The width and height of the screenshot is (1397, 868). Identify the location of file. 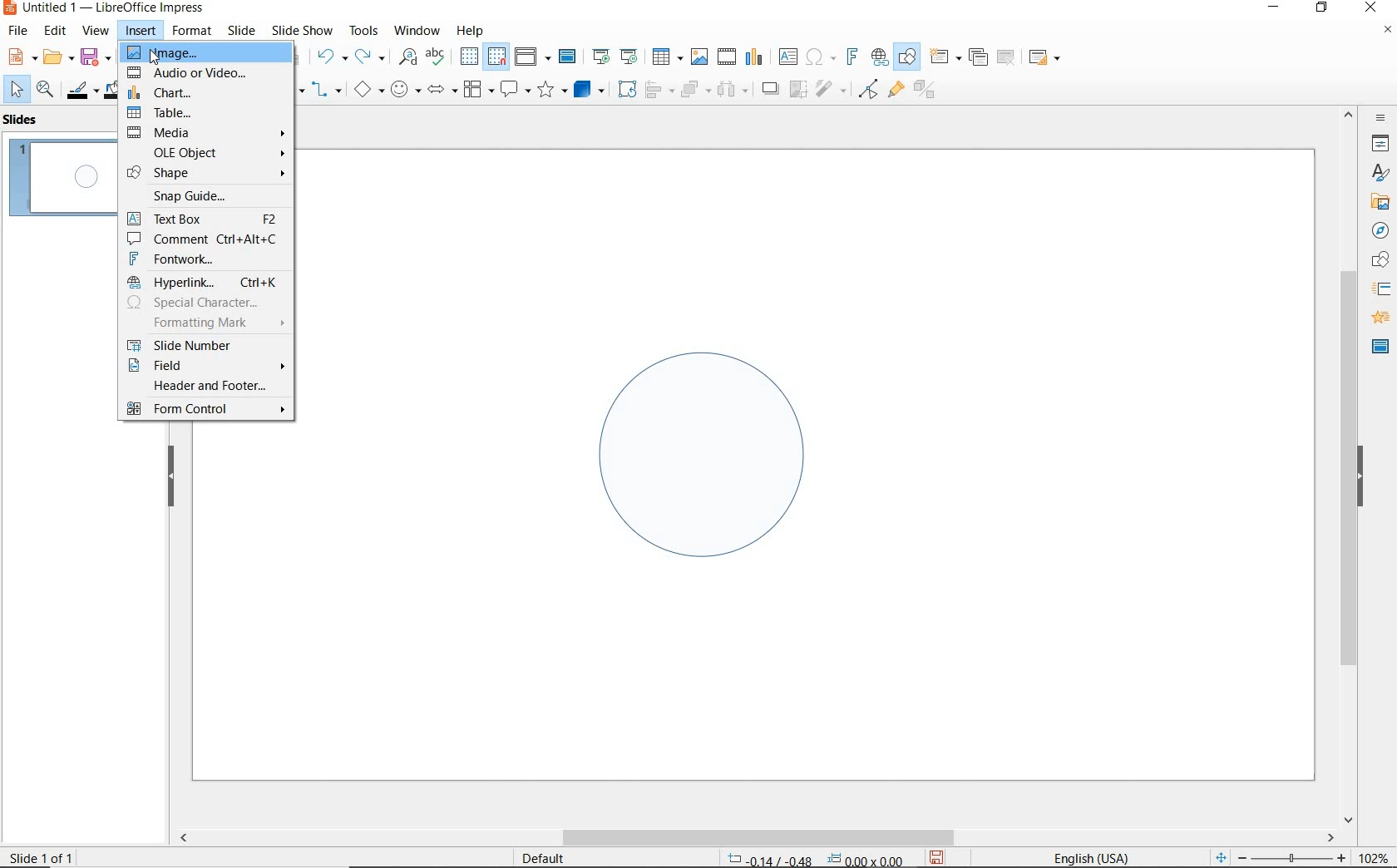
(19, 31).